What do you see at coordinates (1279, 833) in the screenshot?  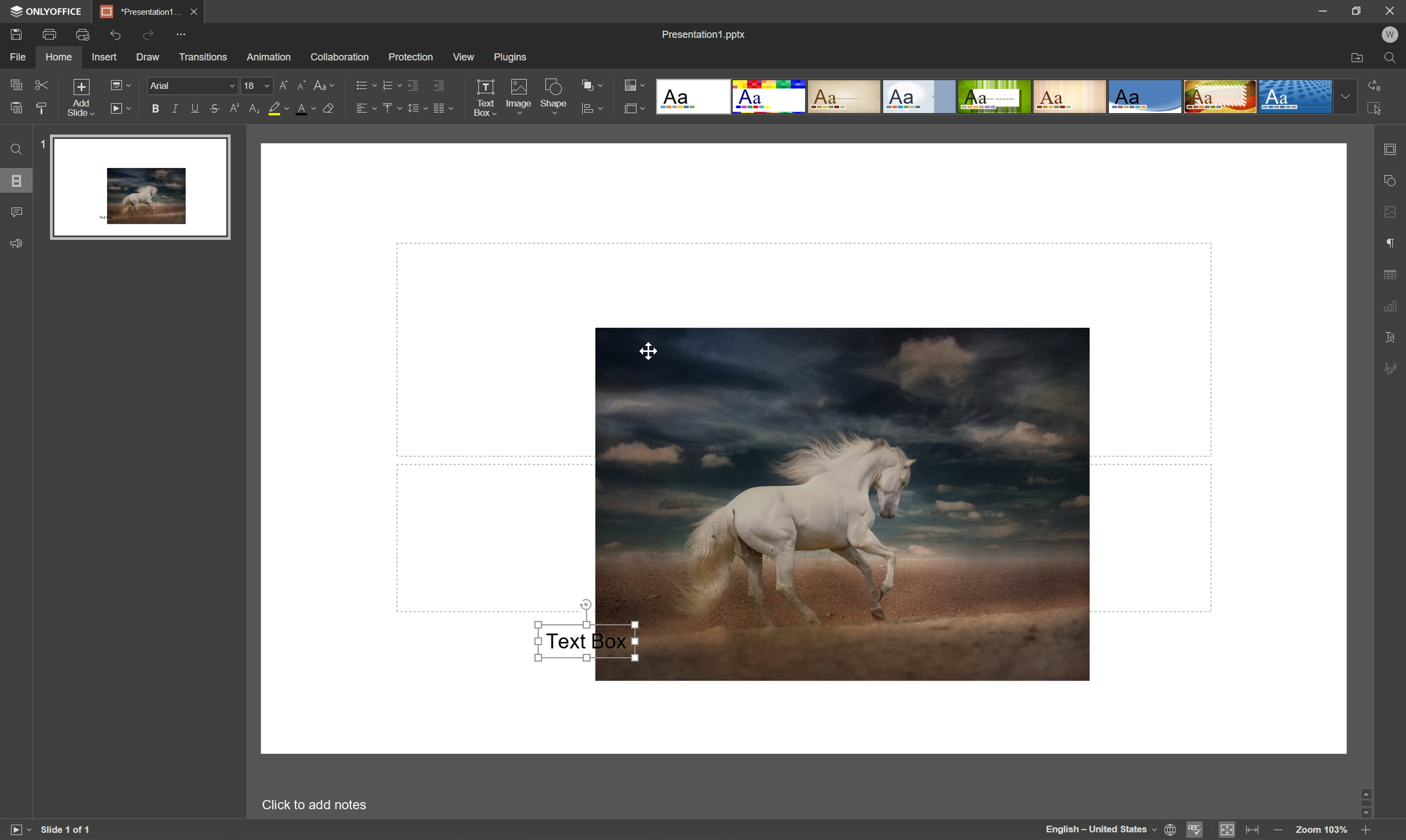 I see `Zoom out` at bounding box center [1279, 833].